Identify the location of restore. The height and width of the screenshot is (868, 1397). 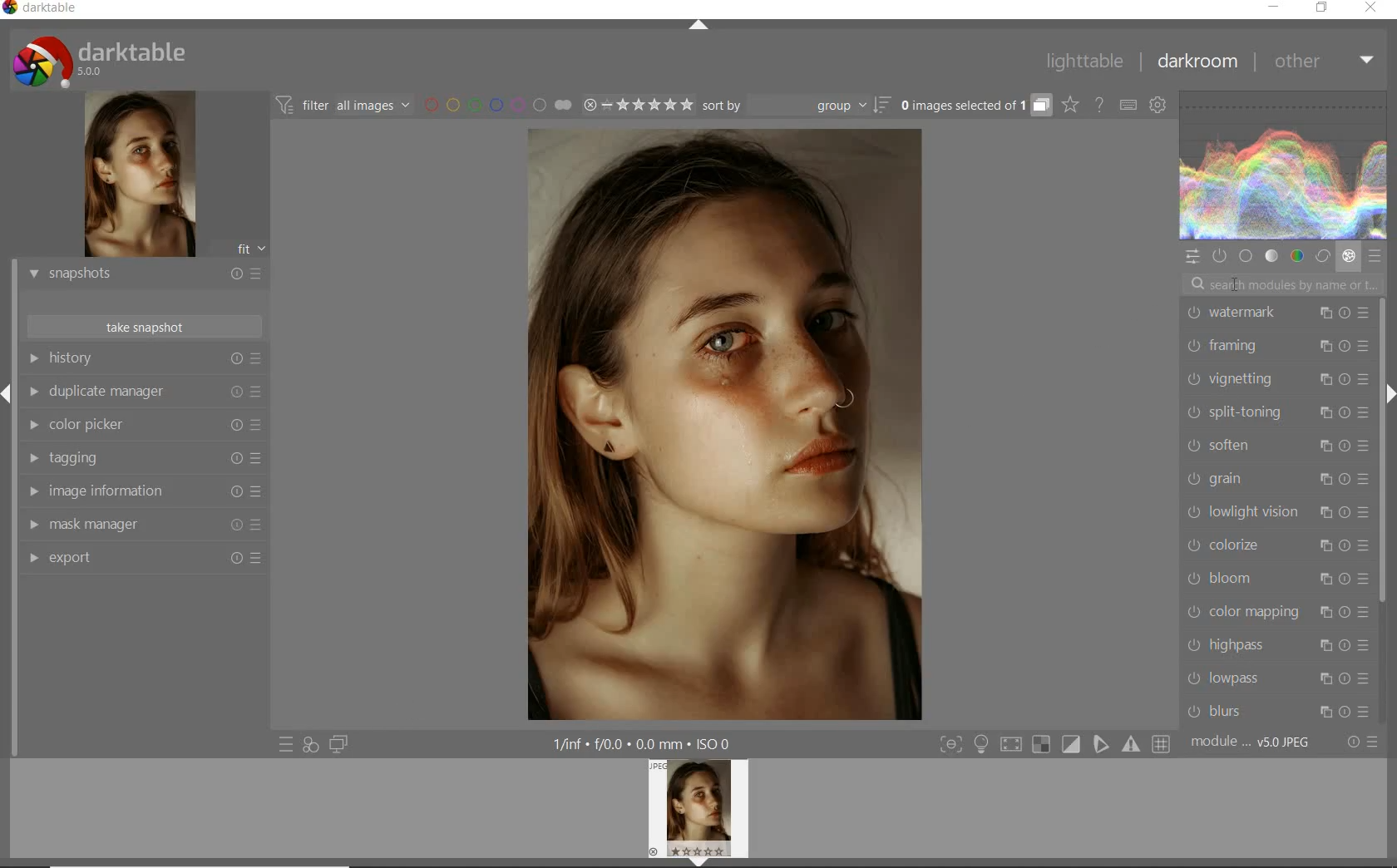
(1322, 7).